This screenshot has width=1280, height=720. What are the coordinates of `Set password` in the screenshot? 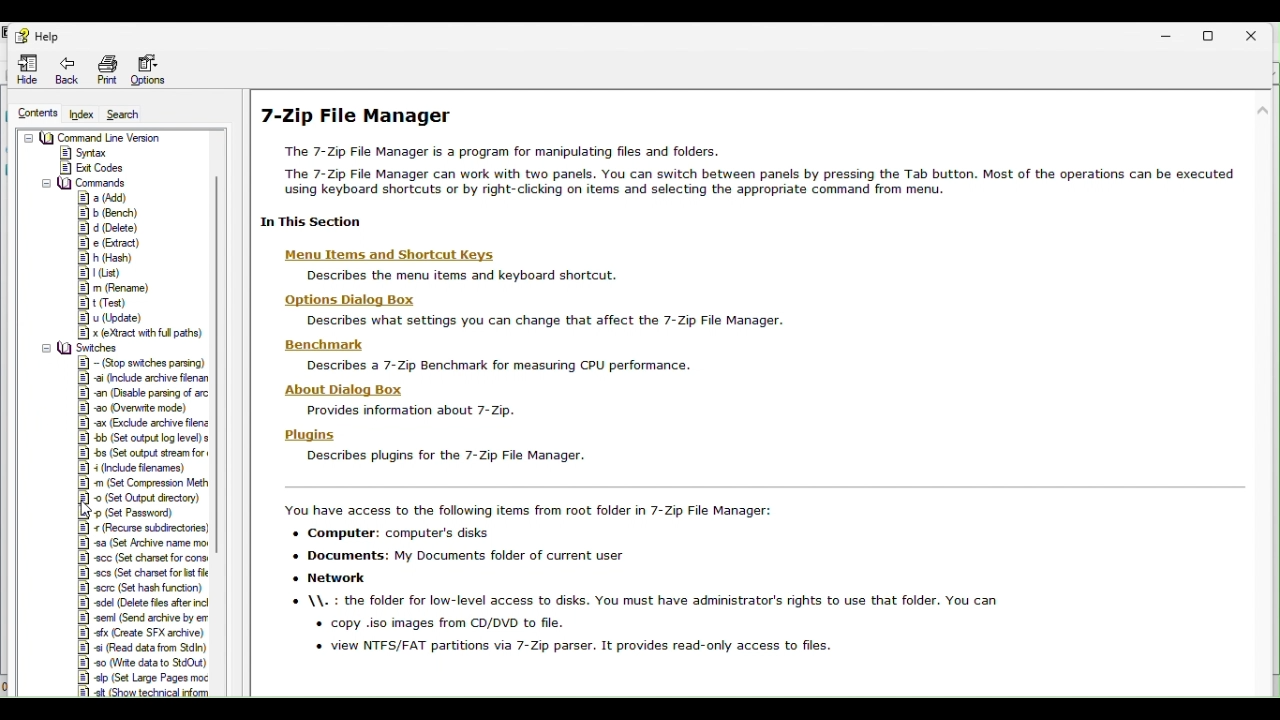 It's located at (129, 512).